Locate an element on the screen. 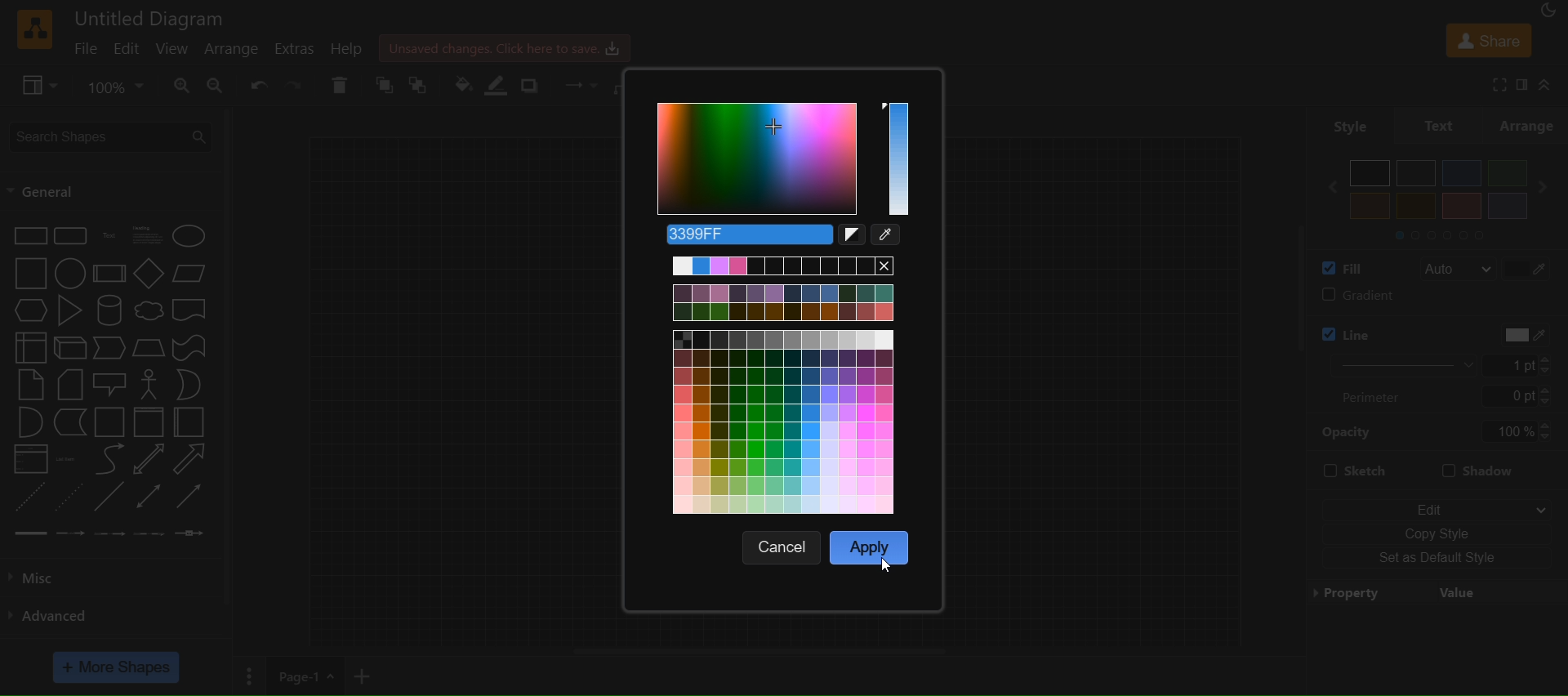 The width and height of the screenshot is (1568, 696). heading is located at coordinates (149, 235).